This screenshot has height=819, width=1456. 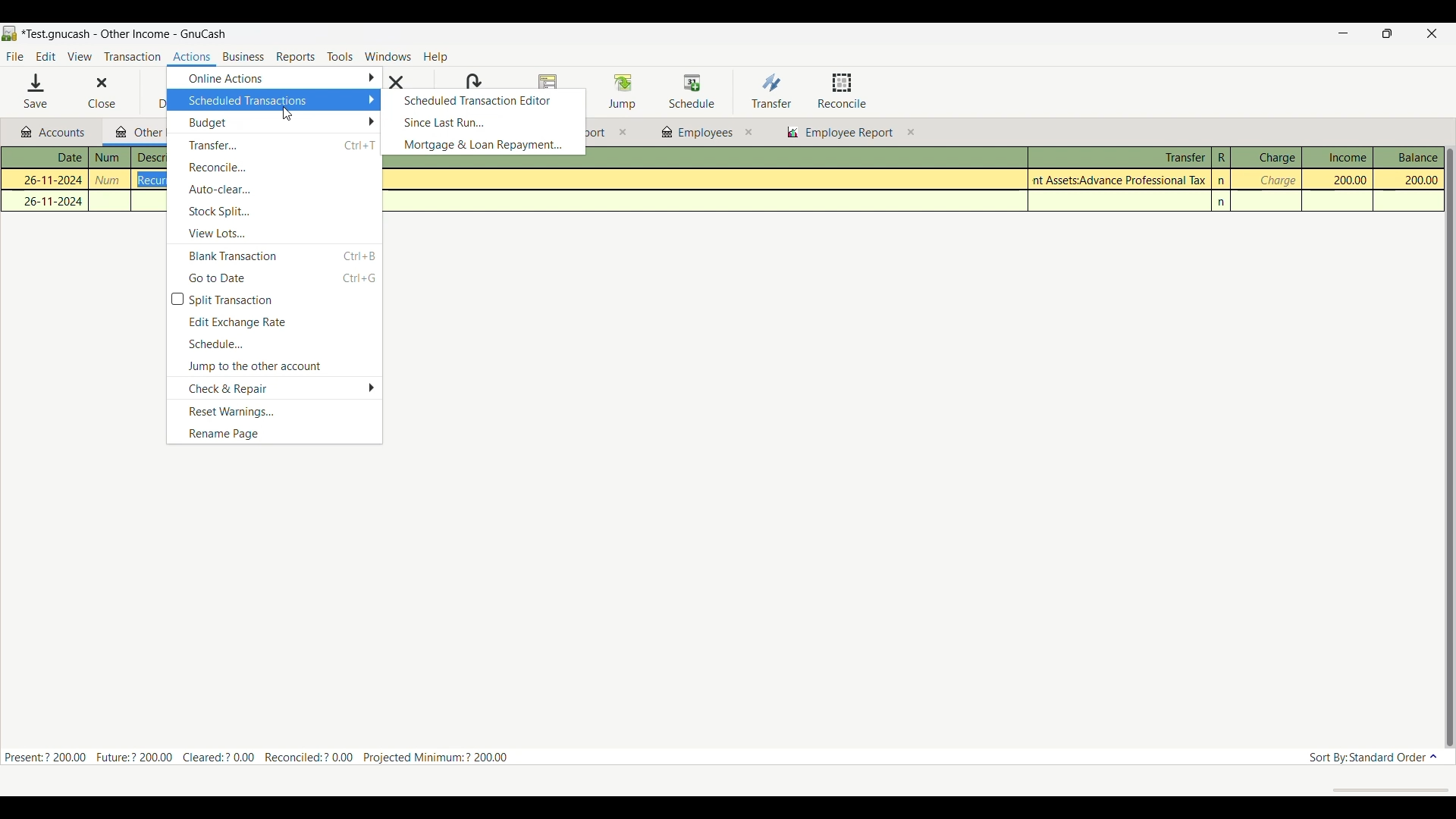 I want to click on Present:? 200.00 Future:? 200.00 Cleared:? 0.00 Reconciled:? 0.00 Projected Minimum: ? 200.00, so click(x=265, y=755).